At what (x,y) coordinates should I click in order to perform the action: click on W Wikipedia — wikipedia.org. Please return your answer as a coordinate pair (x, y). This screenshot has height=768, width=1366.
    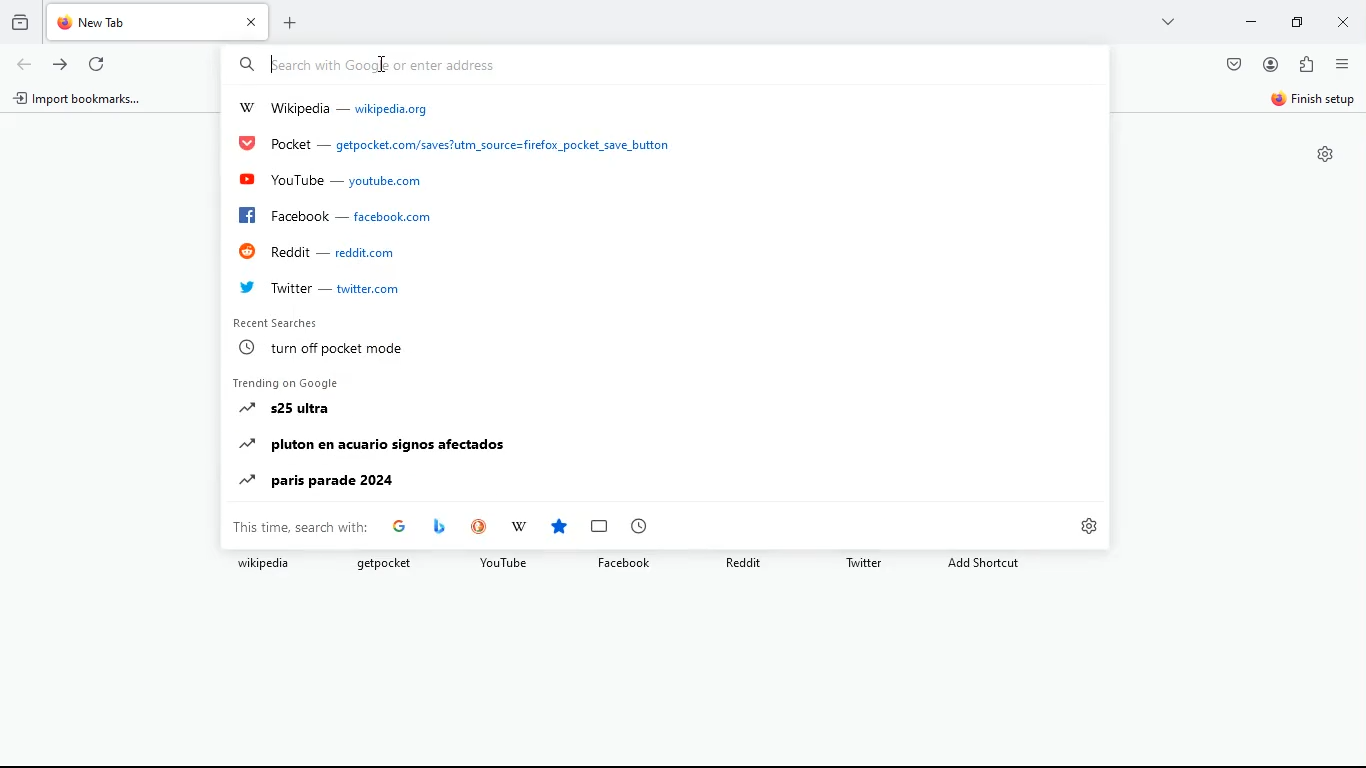
    Looking at the image, I should click on (337, 108).